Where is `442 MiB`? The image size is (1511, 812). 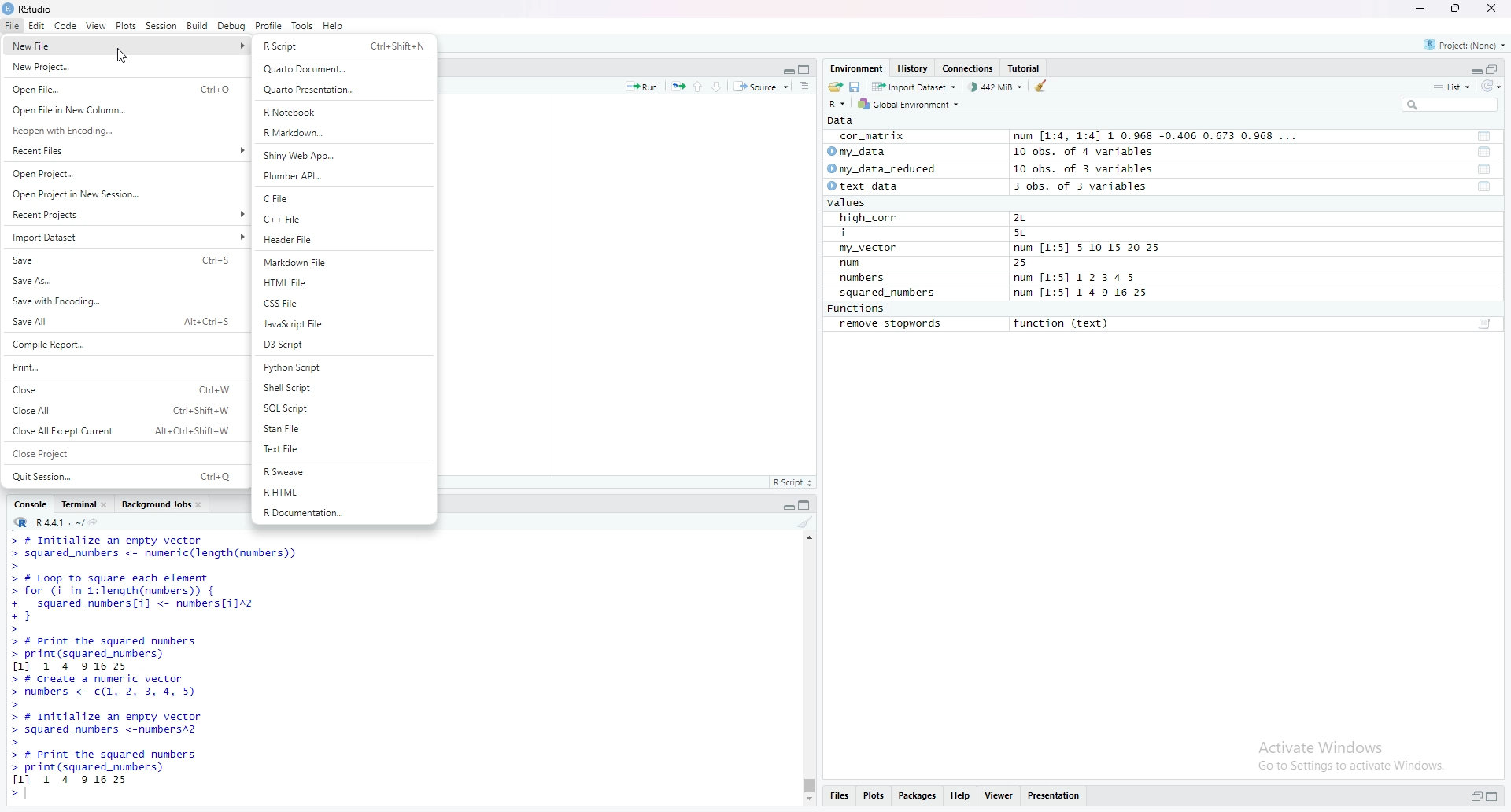 442 MiB is located at coordinates (999, 87).